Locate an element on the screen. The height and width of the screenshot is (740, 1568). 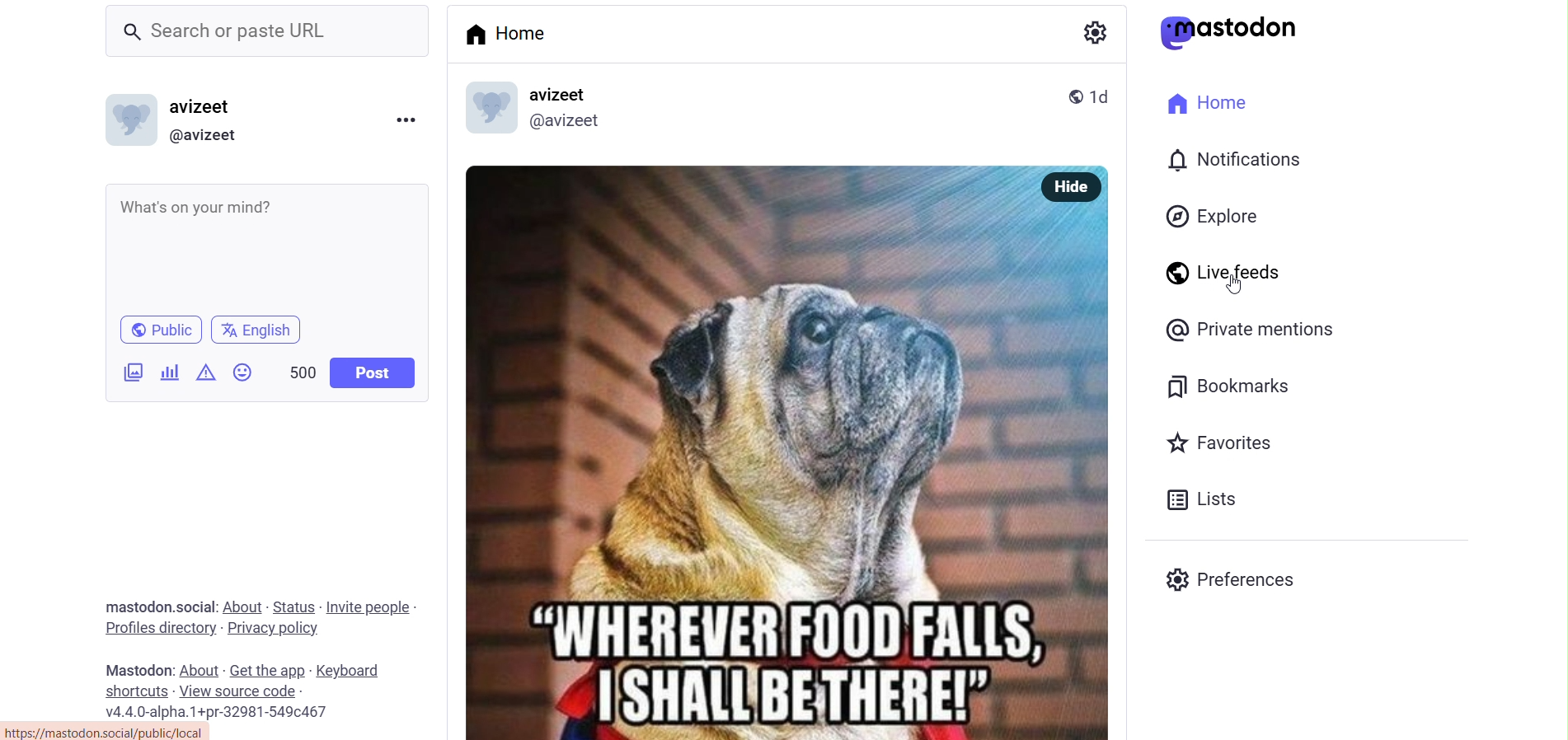
live feed is located at coordinates (1221, 275).